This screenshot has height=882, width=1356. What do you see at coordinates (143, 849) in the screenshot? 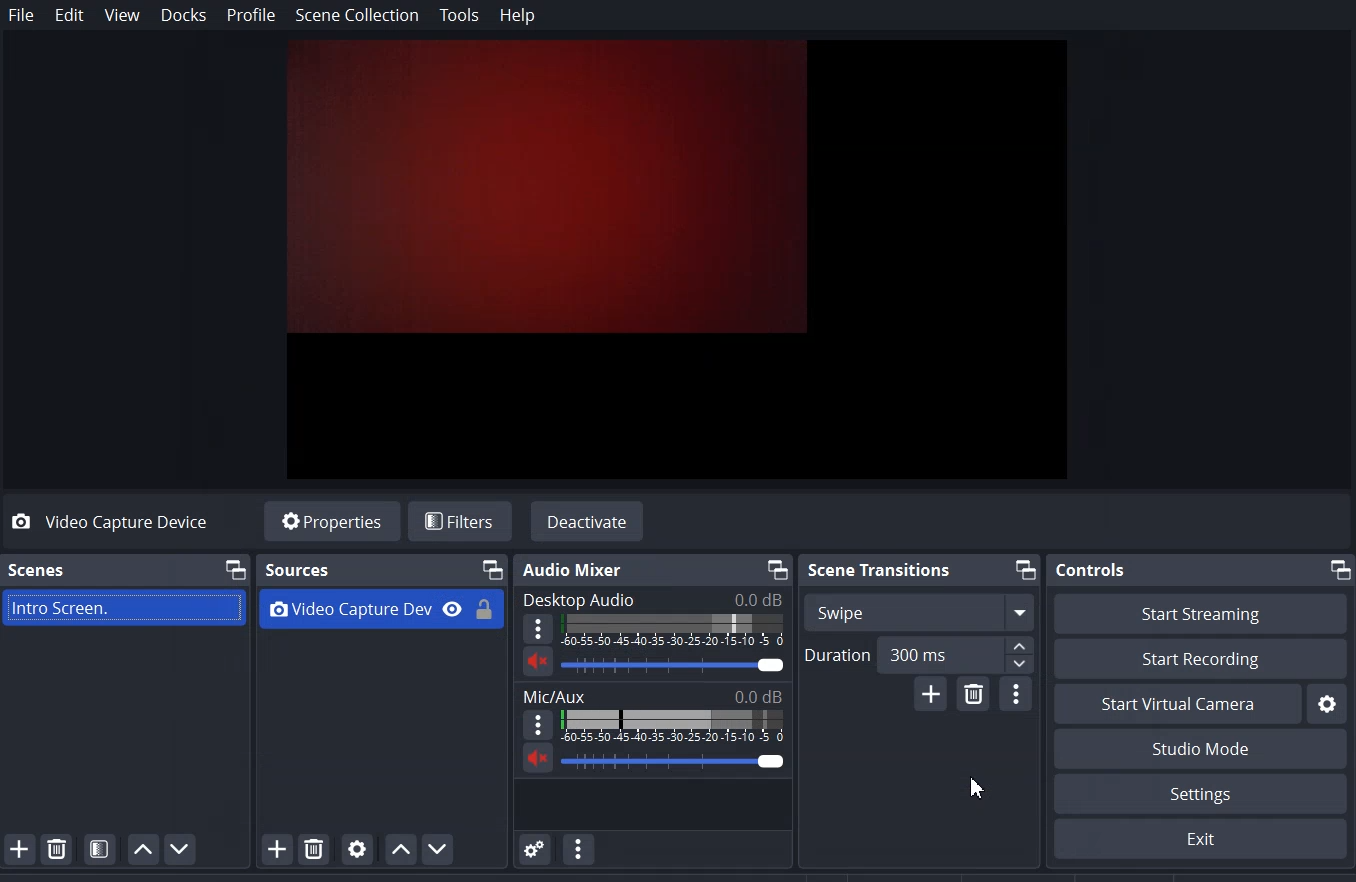
I see `Move Scene Up` at bounding box center [143, 849].